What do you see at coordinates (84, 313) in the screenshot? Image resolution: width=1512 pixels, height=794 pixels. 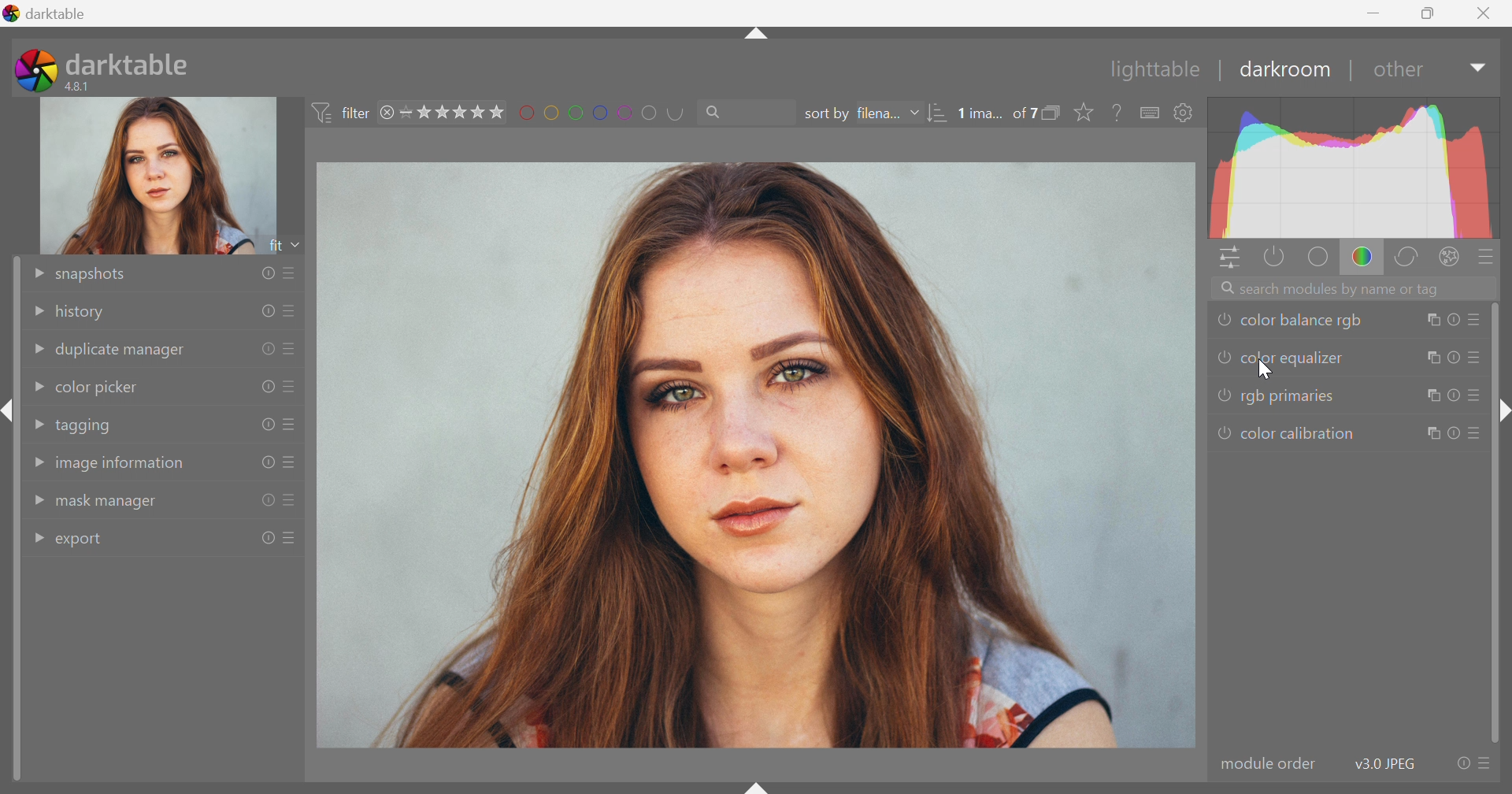 I see `history` at bounding box center [84, 313].